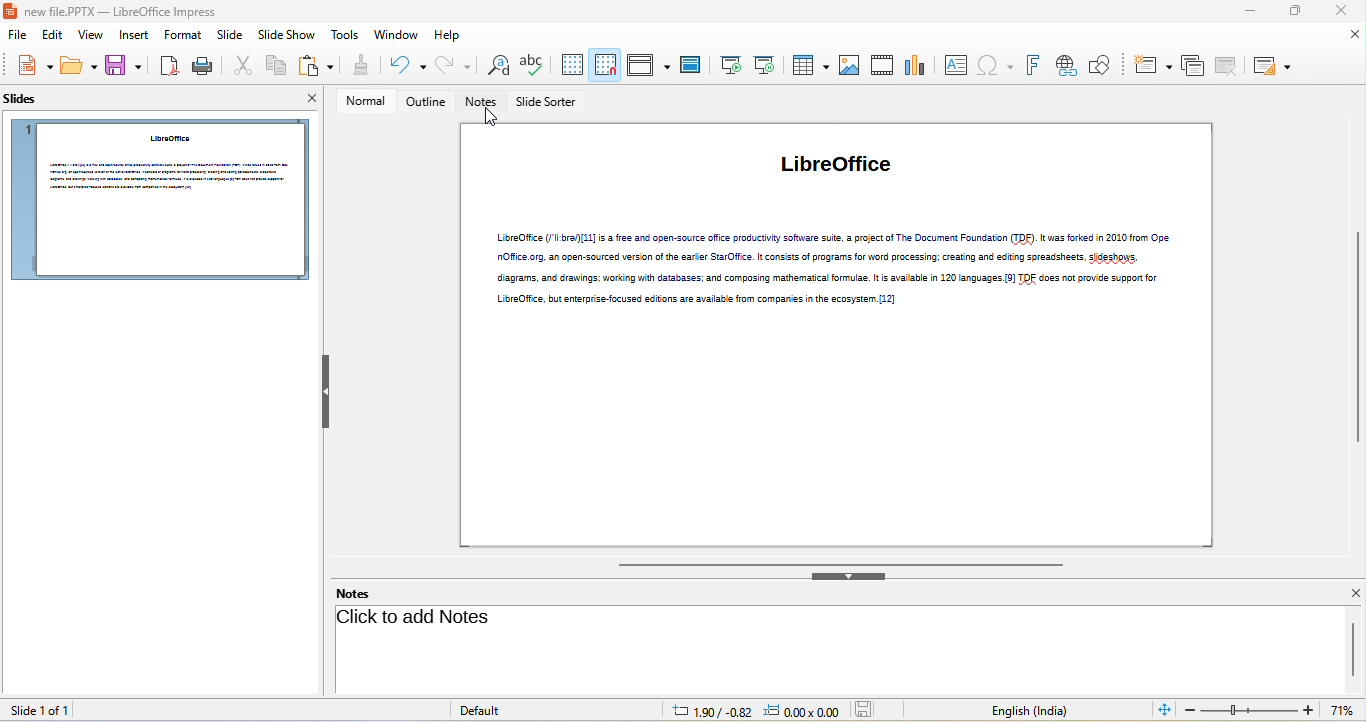 The height and width of the screenshot is (722, 1366). I want to click on cursor, so click(491, 118).